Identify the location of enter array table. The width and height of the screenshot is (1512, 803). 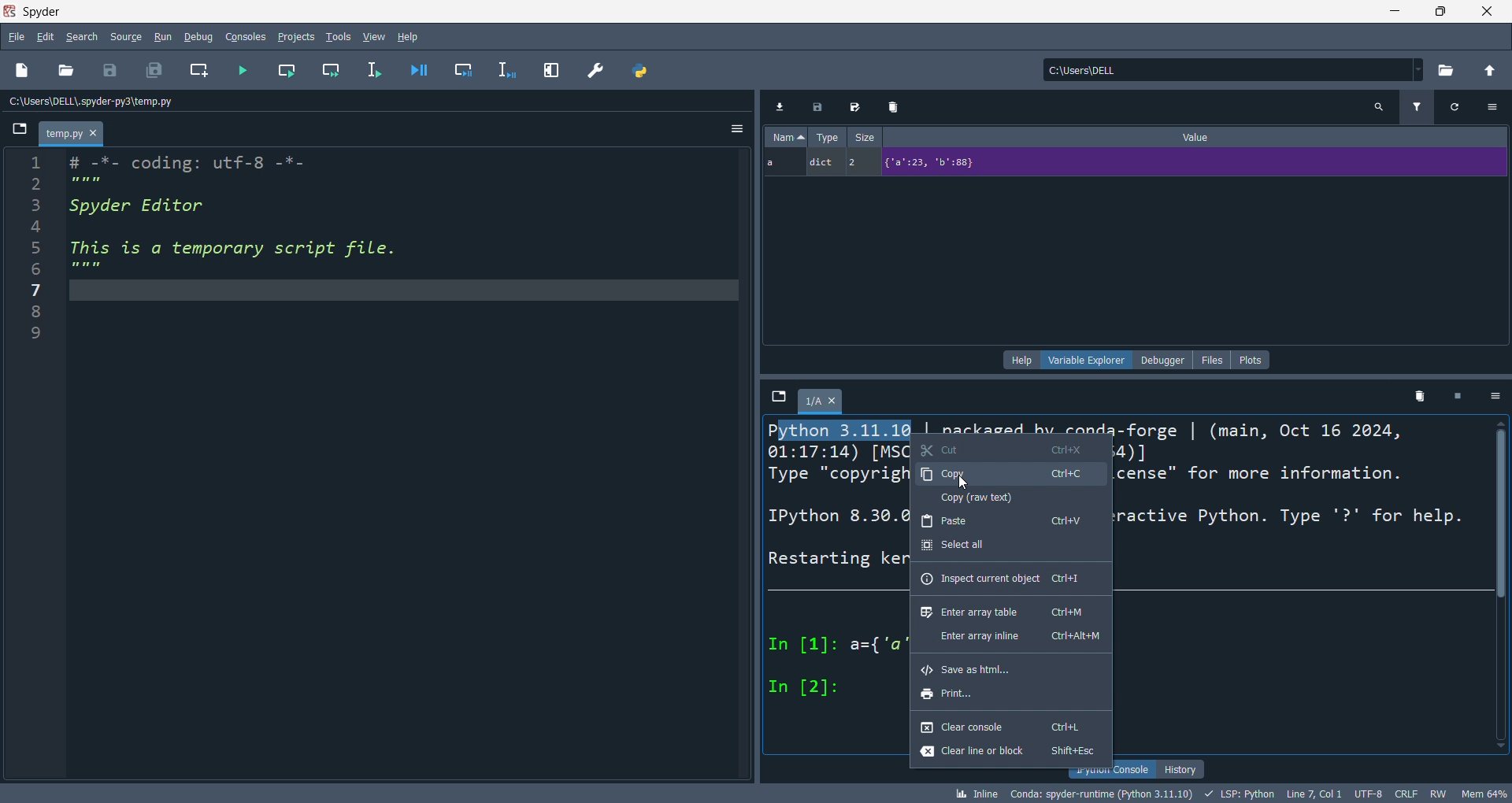
(1008, 612).